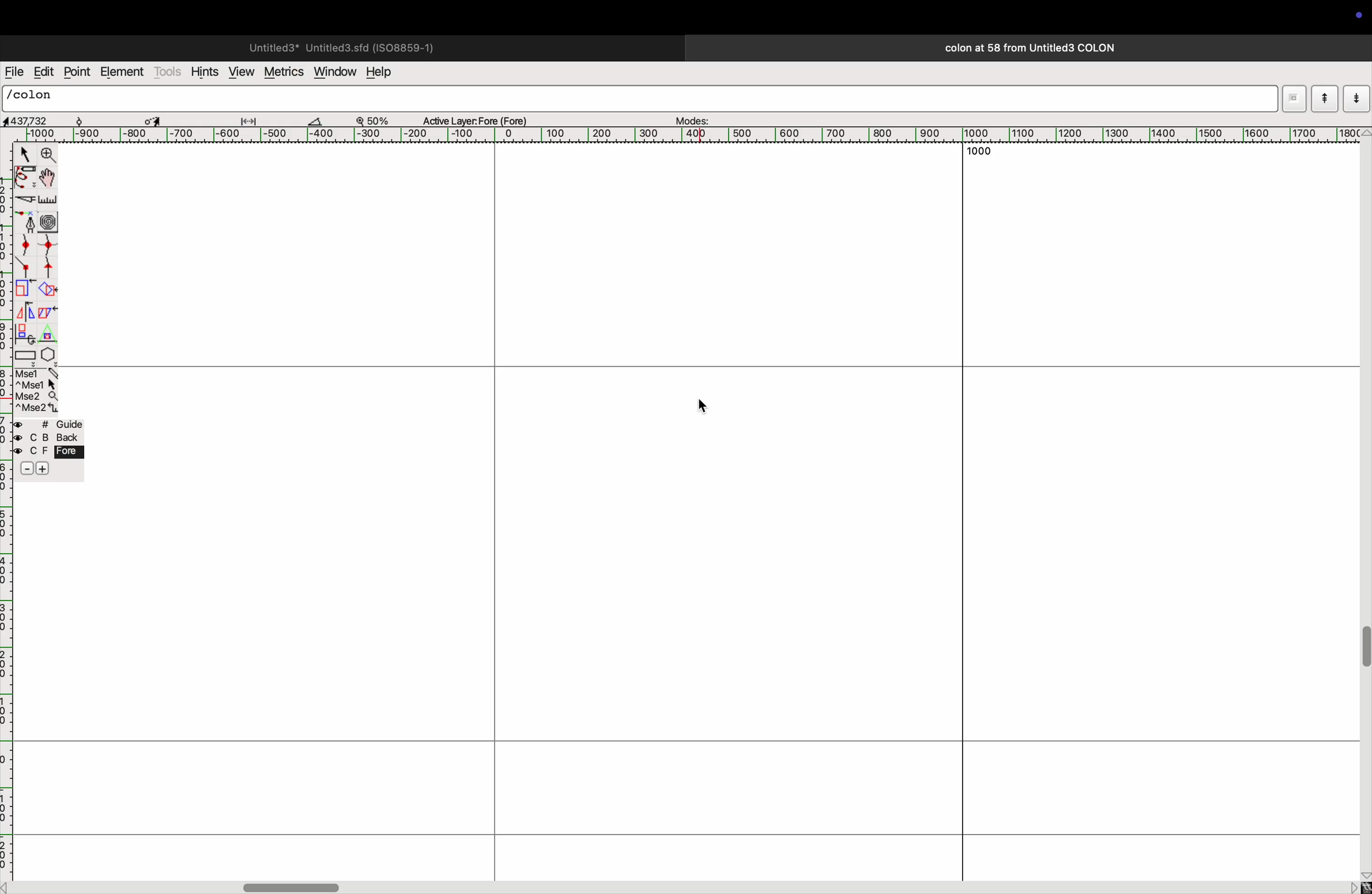 This screenshot has height=894, width=1372. What do you see at coordinates (51, 220) in the screenshot?
I see `circles` at bounding box center [51, 220].